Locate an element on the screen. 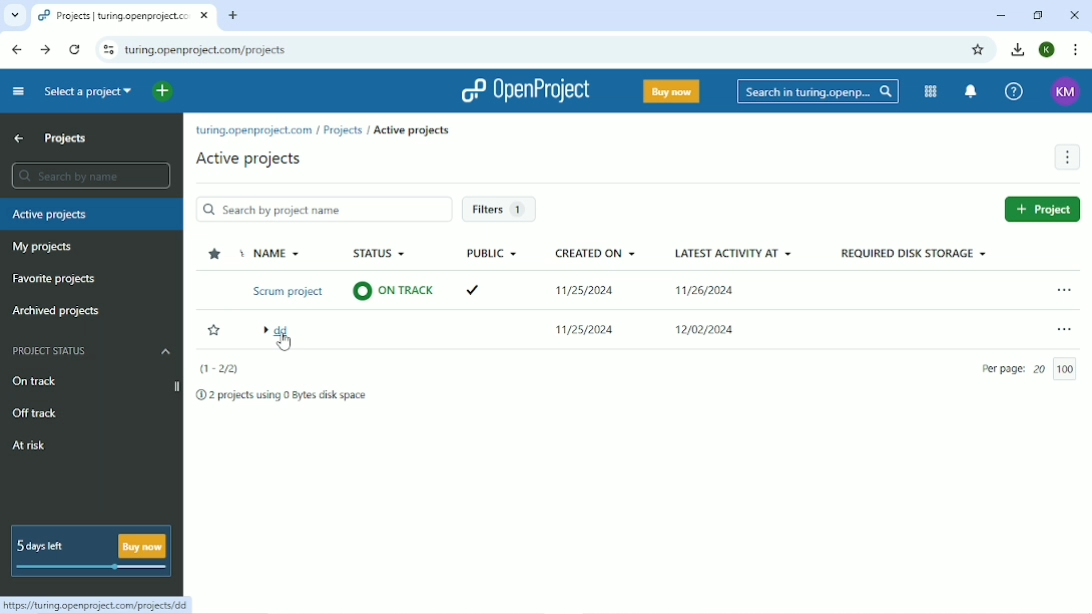 This screenshot has height=614, width=1092. Search by name is located at coordinates (90, 177).